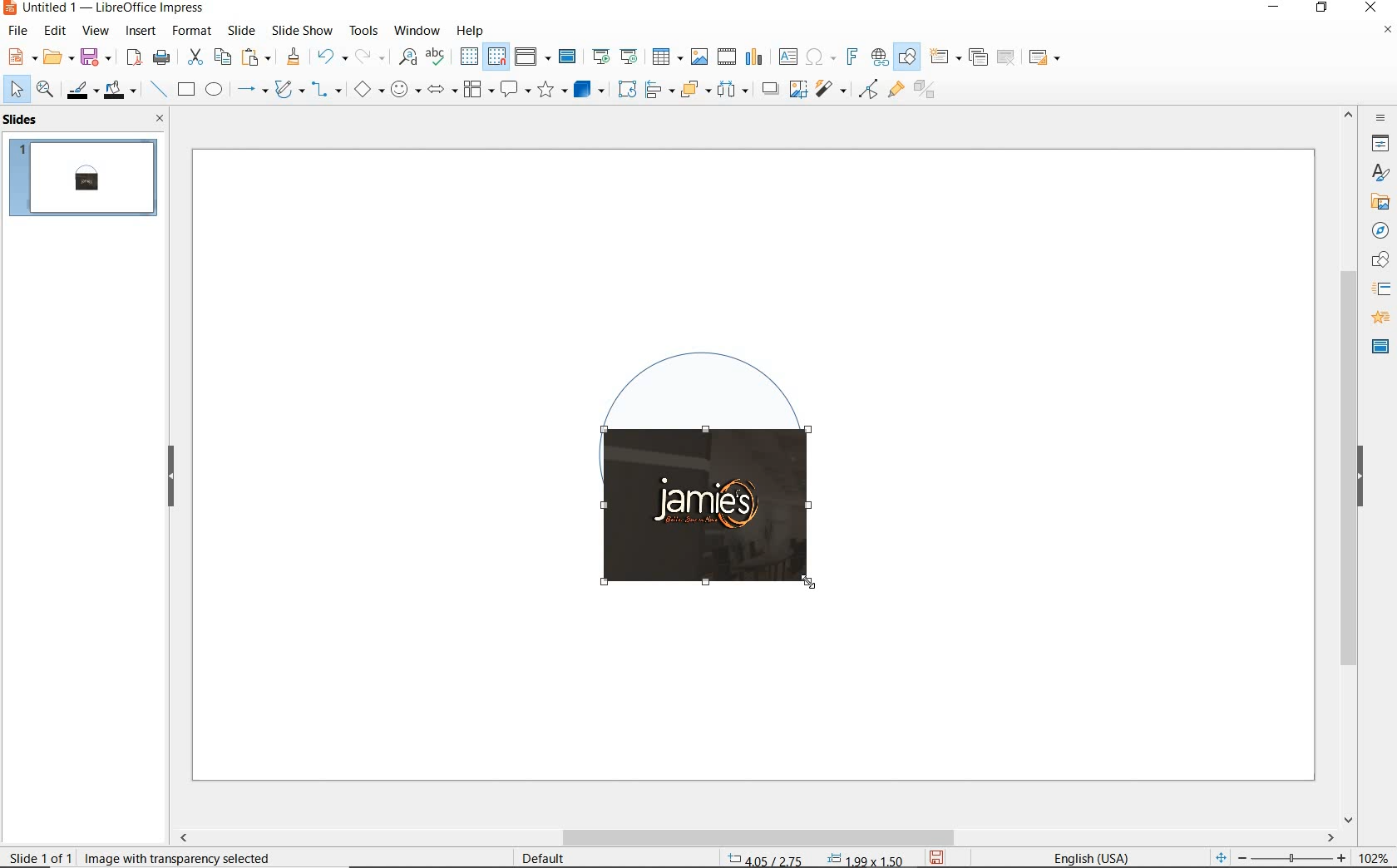 Image resolution: width=1397 pixels, height=868 pixels. Describe the element at coordinates (1377, 201) in the screenshot. I see `gallery` at that location.